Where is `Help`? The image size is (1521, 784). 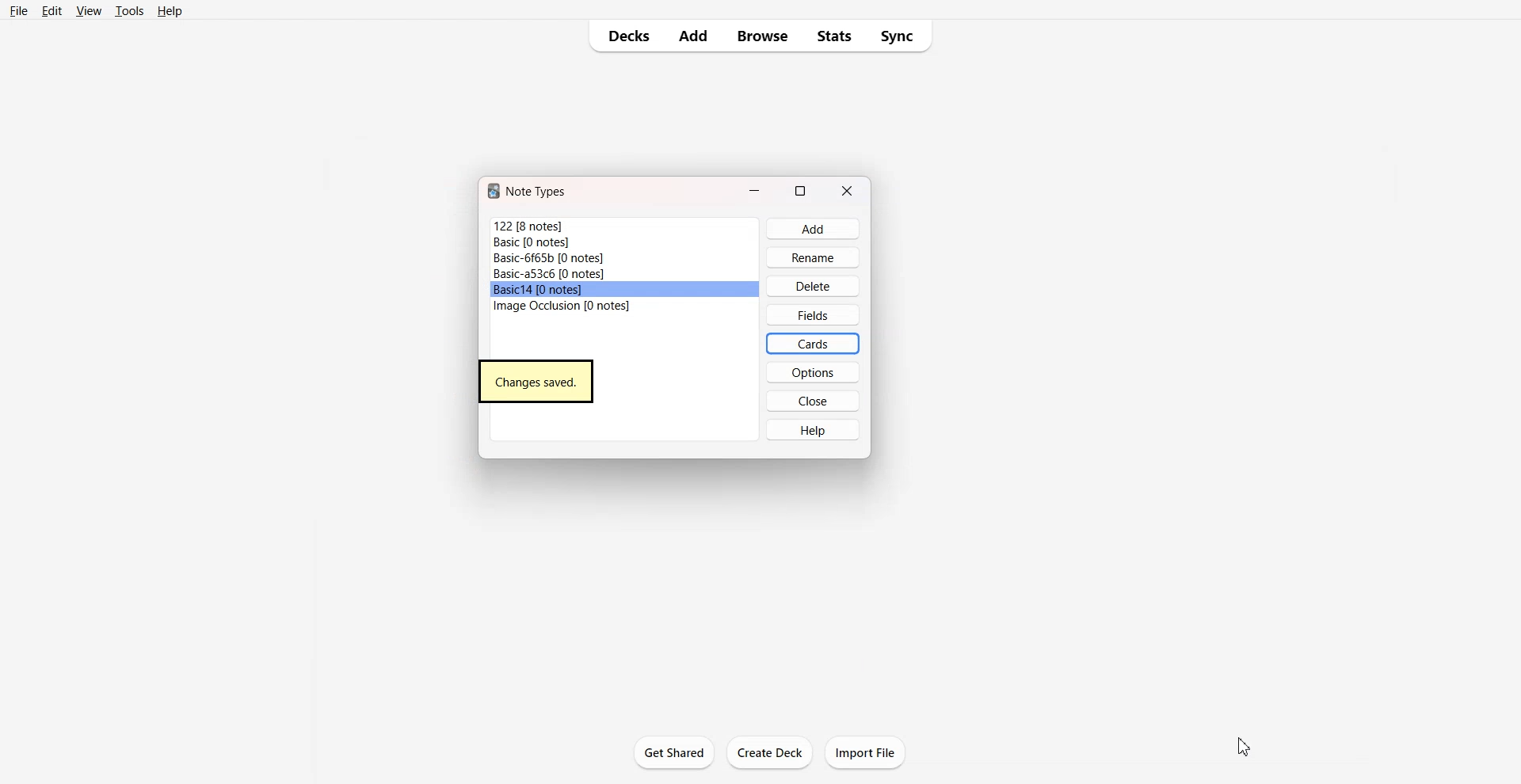
Help is located at coordinates (170, 11).